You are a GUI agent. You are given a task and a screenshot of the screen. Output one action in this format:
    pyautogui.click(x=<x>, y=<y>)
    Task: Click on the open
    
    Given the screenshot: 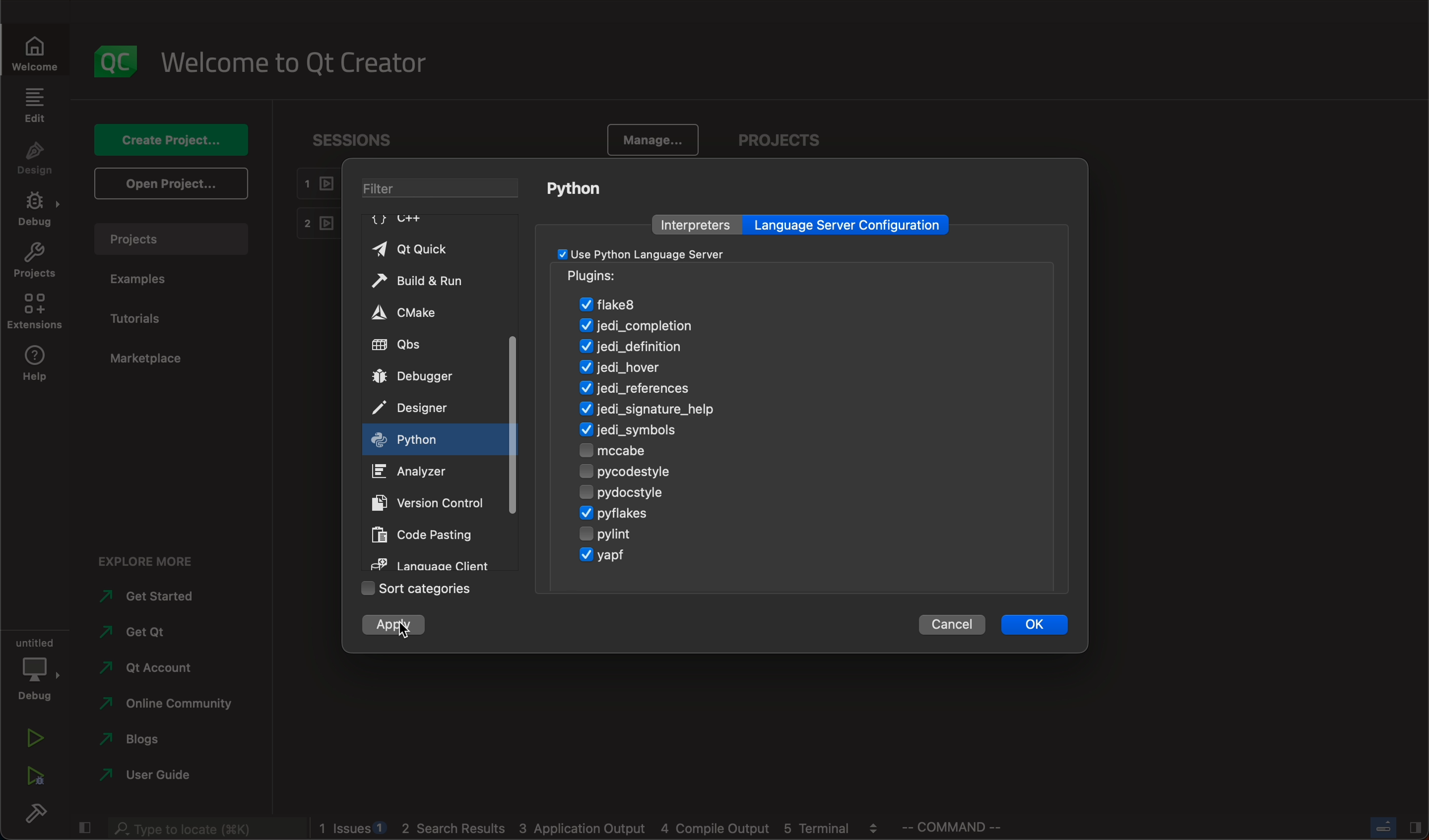 What is the action you would take?
    pyautogui.click(x=174, y=184)
    